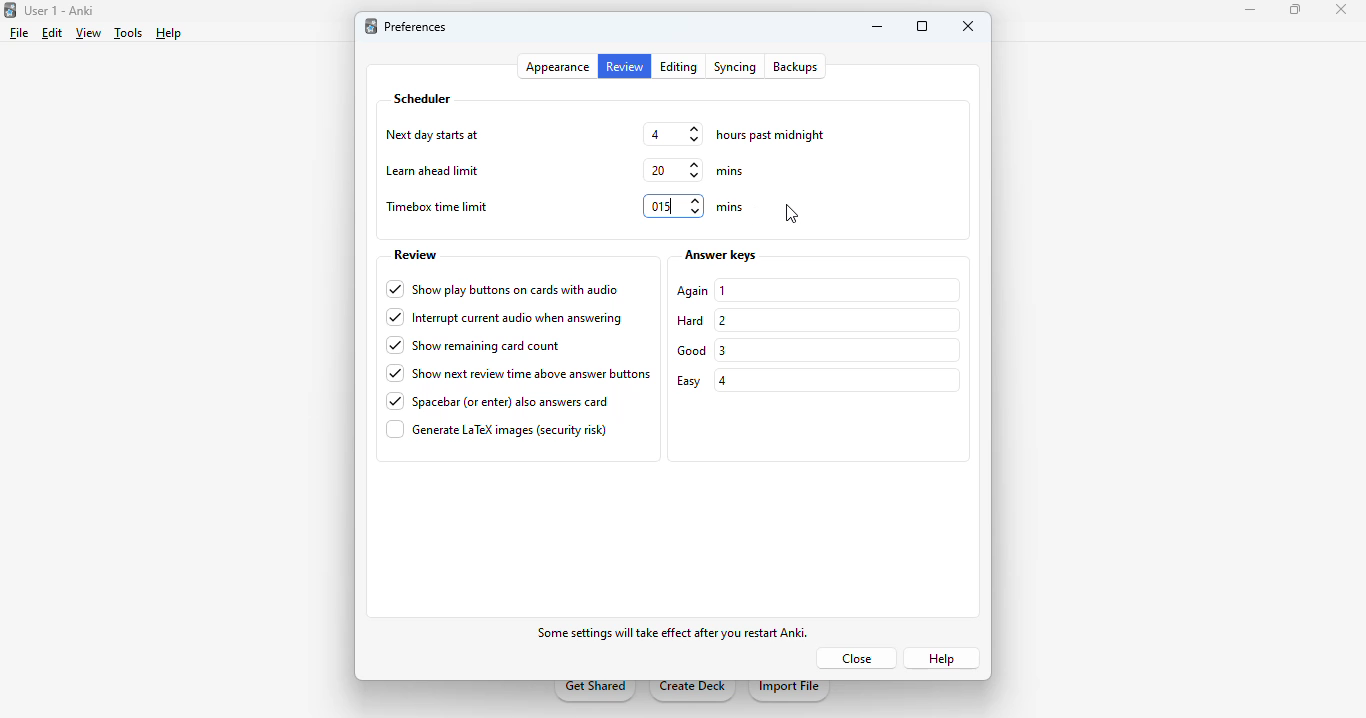 This screenshot has height=718, width=1366. I want to click on logo, so click(9, 10).